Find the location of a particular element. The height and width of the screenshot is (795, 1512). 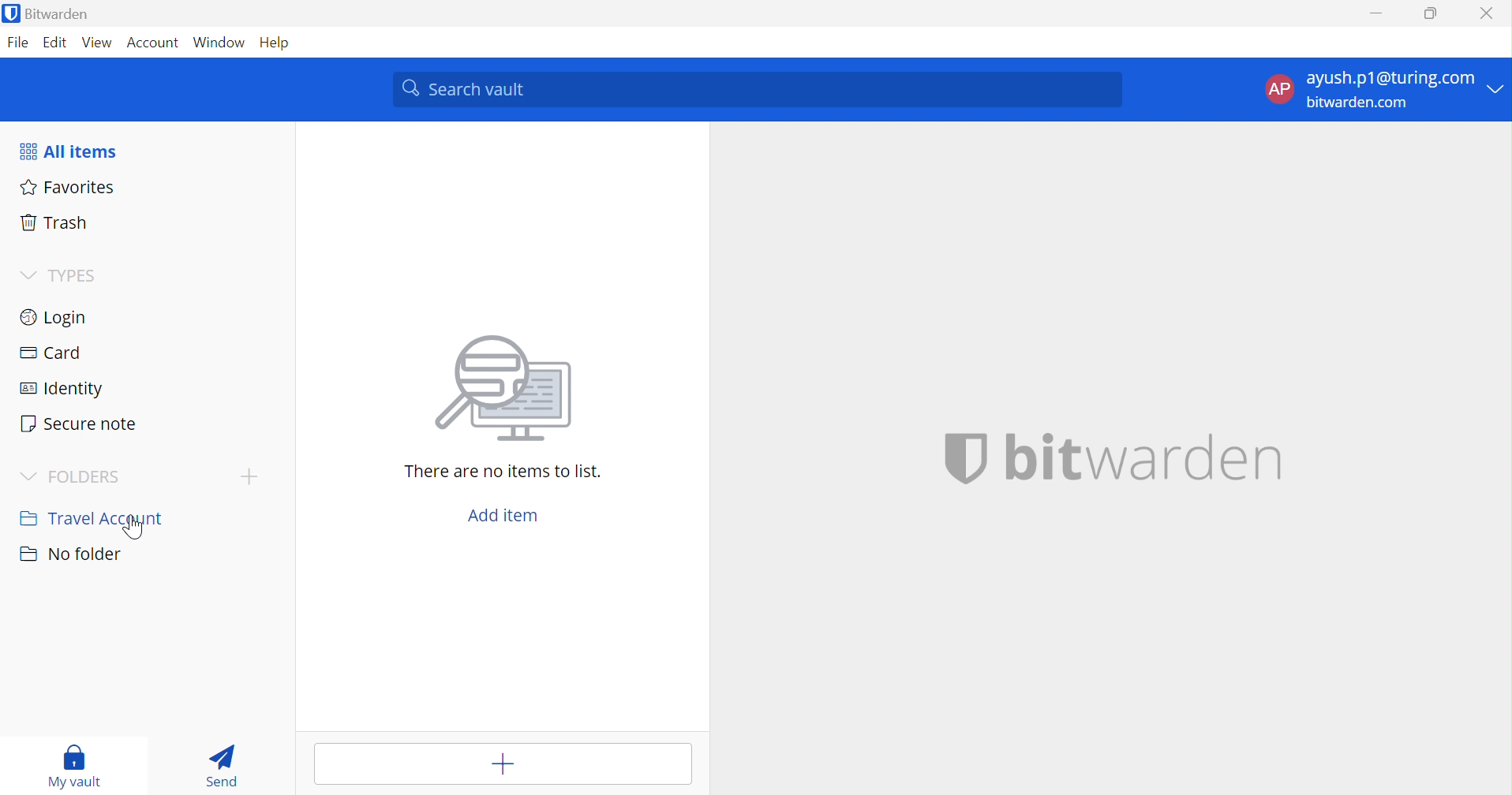

All items is located at coordinates (66, 151).